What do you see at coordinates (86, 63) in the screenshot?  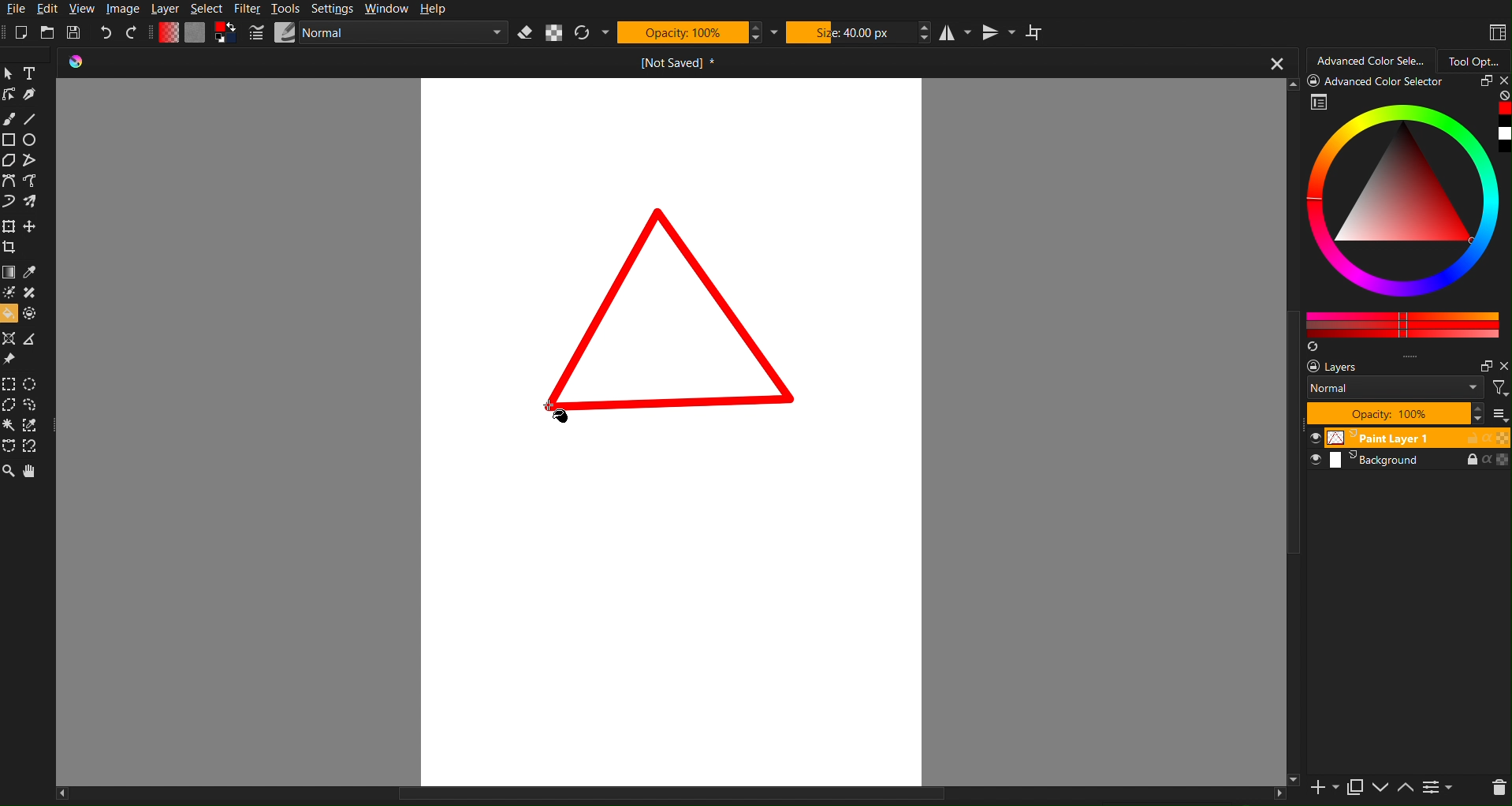 I see `icon` at bounding box center [86, 63].